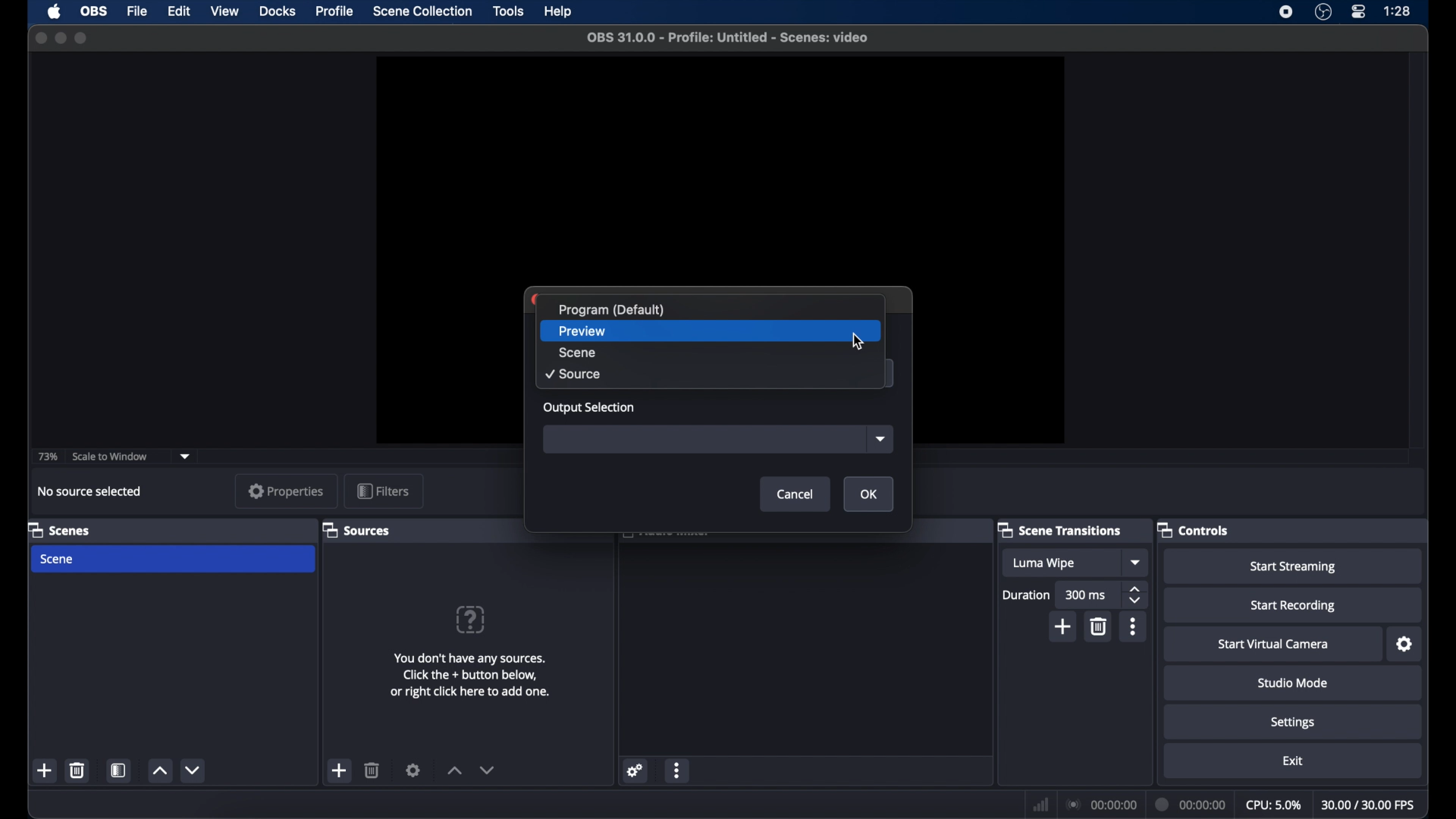 Image resolution: width=1456 pixels, height=819 pixels. What do you see at coordinates (78, 771) in the screenshot?
I see `delete` at bounding box center [78, 771].